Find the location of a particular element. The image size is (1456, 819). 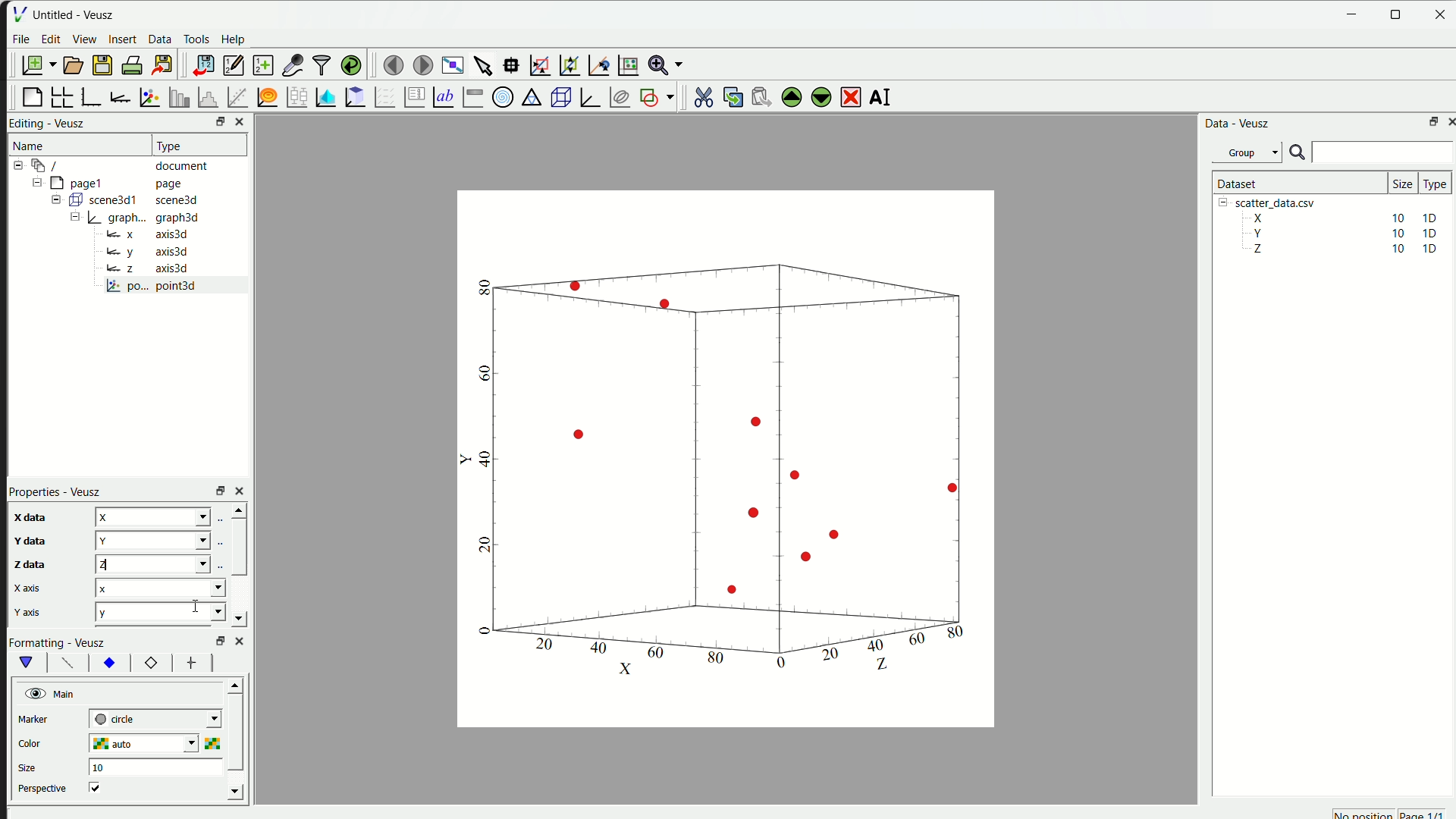

| File is located at coordinates (18, 12).